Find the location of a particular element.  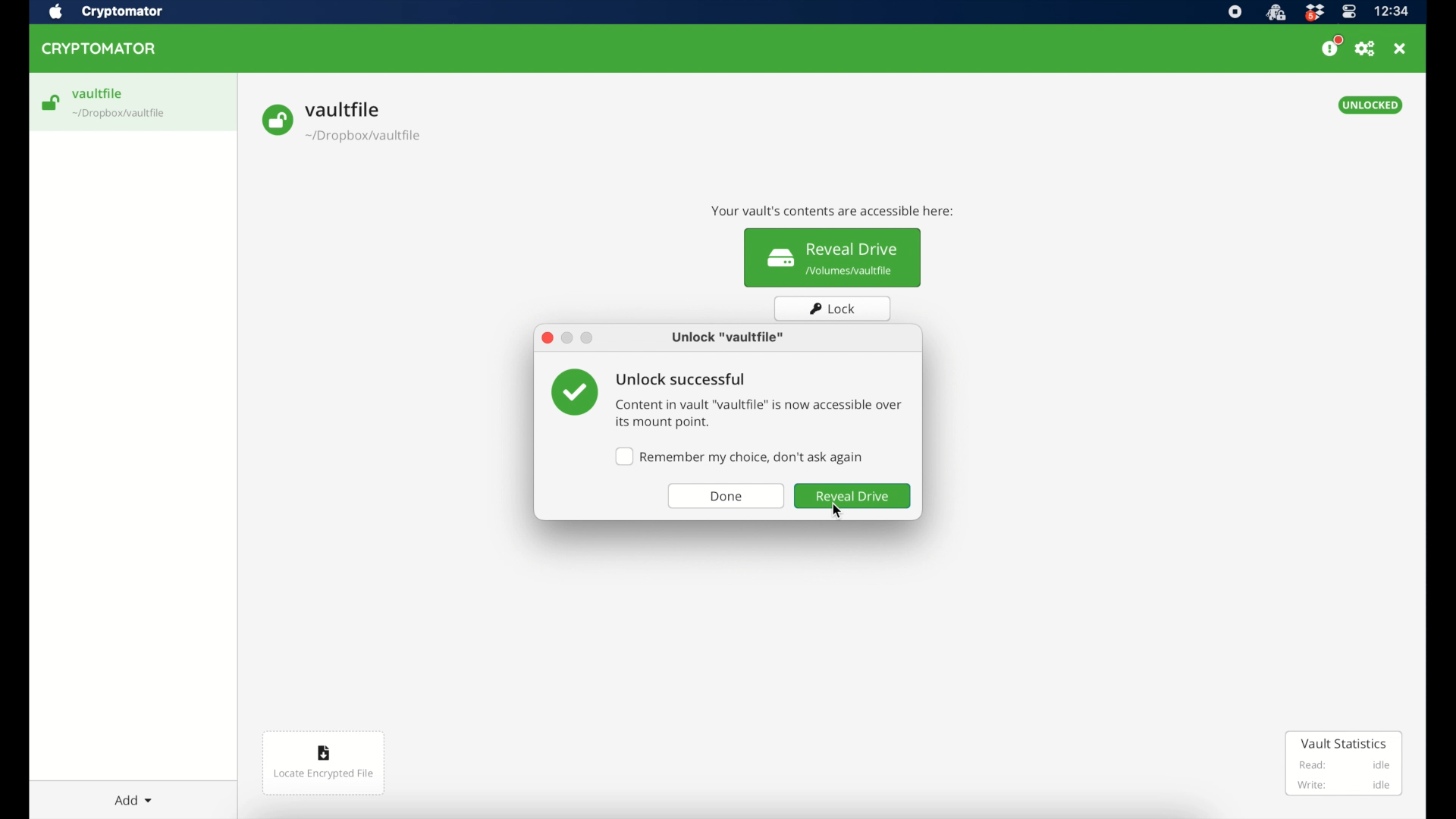

vault file is located at coordinates (342, 121).